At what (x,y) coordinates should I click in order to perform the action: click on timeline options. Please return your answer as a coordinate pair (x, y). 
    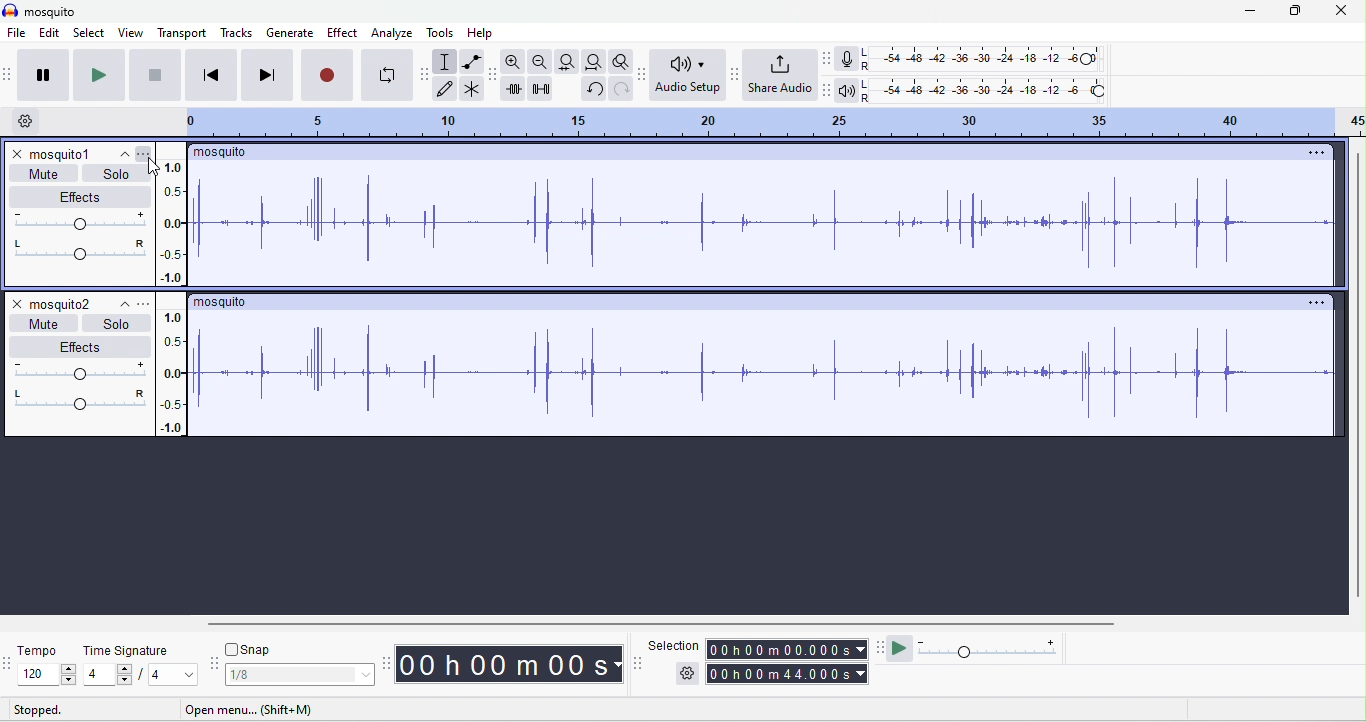
    Looking at the image, I should click on (22, 120).